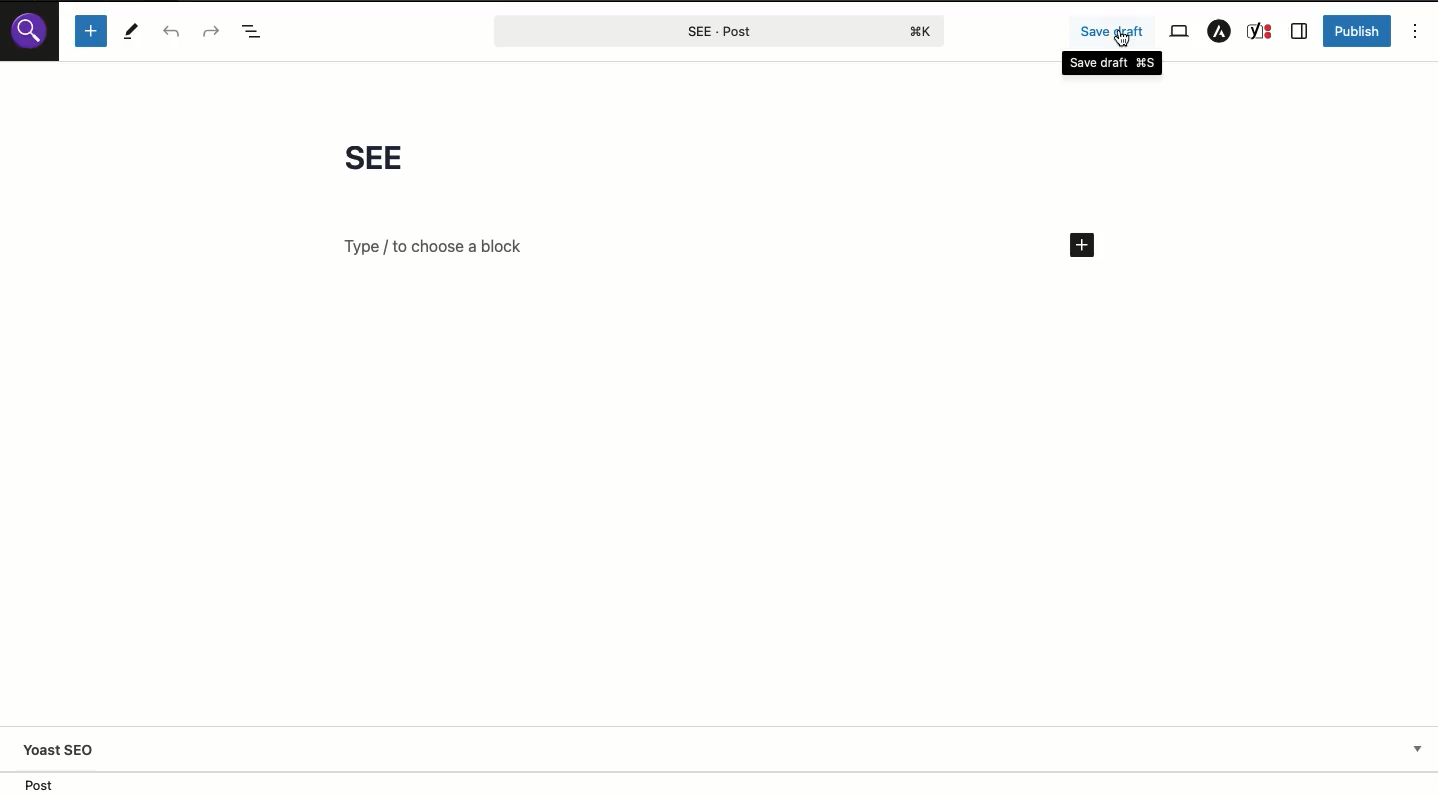 The width and height of the screenshot is (1438, 796). Describe the element at coordinates (211, 33) in the screenshot. I see `Redo` at that location.